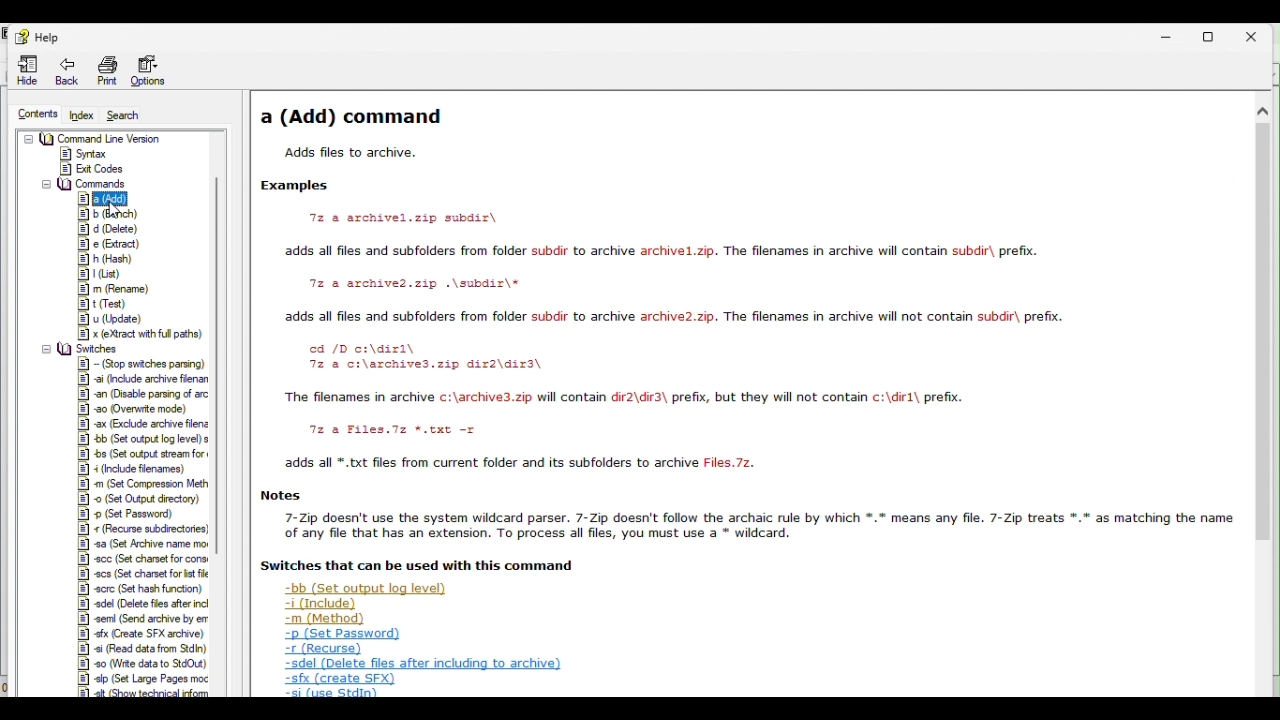 This screenshot has height=720, width=1280. Describe the element at coordinates (67, 70) in the screenshot. I see `Back ` at that location.